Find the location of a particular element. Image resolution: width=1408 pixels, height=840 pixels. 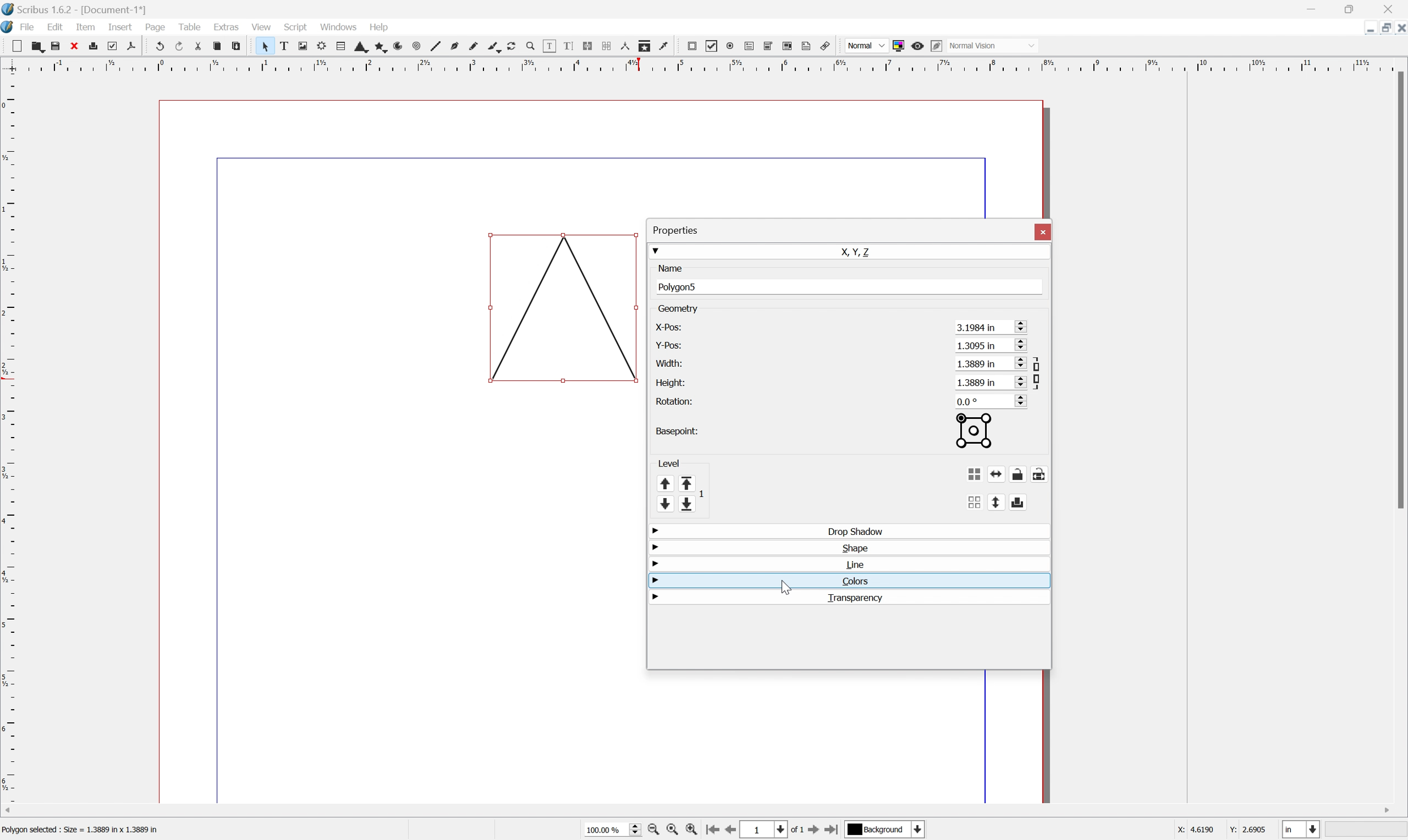

Measurements is located at coordinates (625, 47).